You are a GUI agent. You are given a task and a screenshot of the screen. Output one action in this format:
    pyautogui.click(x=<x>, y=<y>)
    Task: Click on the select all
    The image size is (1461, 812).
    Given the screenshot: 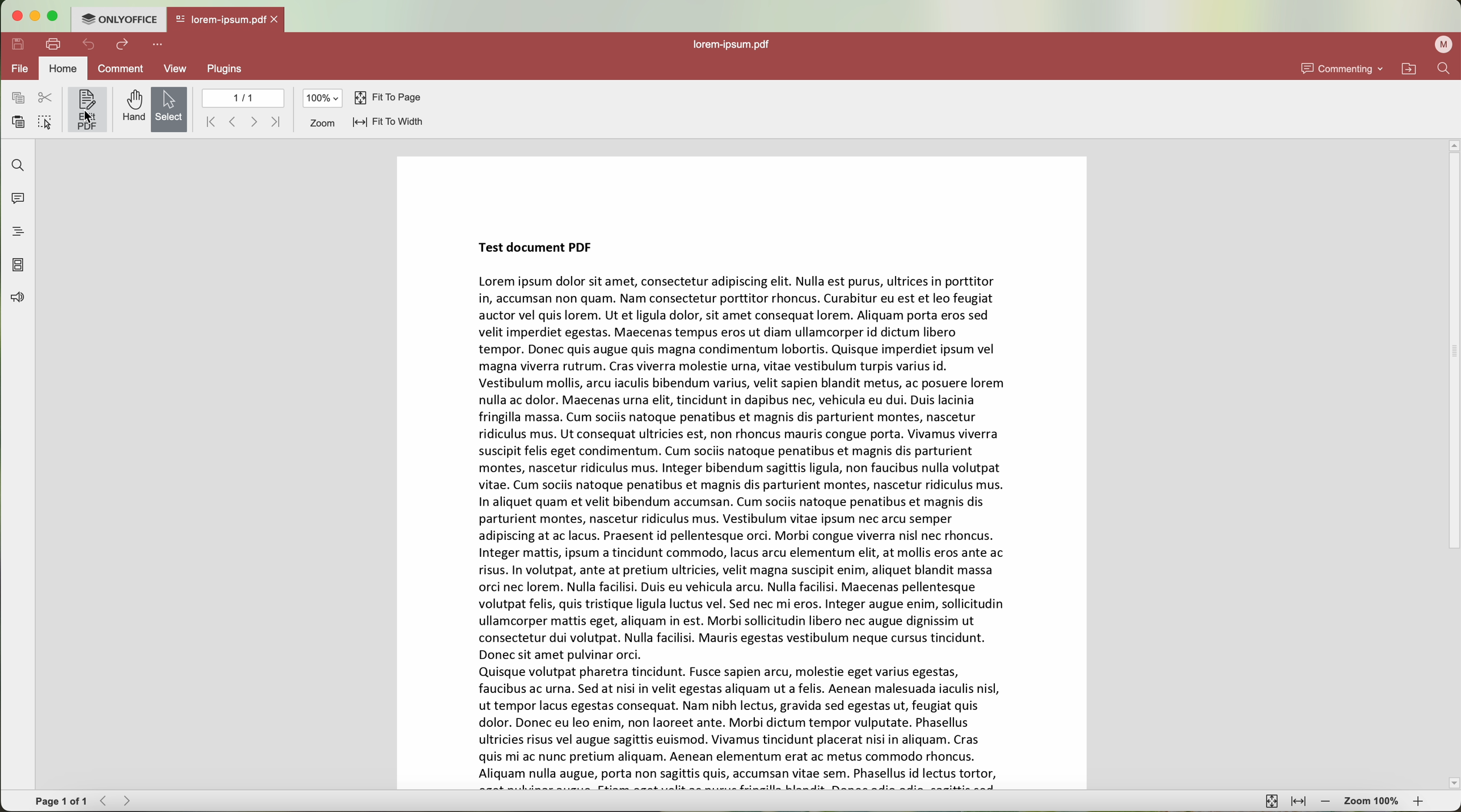 What is the action you would take?
    pyautogui.click(x=45, y=122)
    